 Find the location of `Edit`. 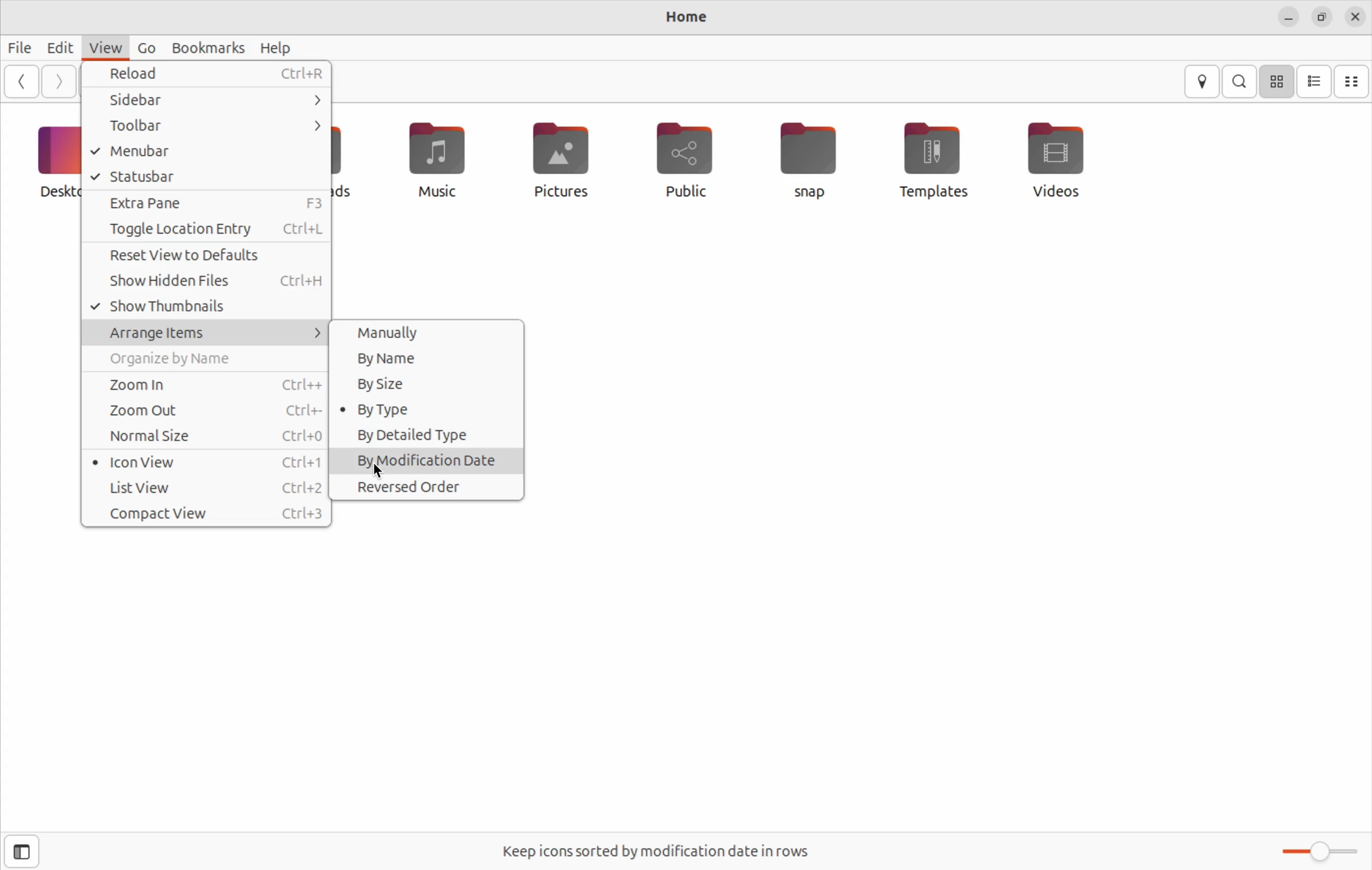

Edit is located at coordinates (59, 47).